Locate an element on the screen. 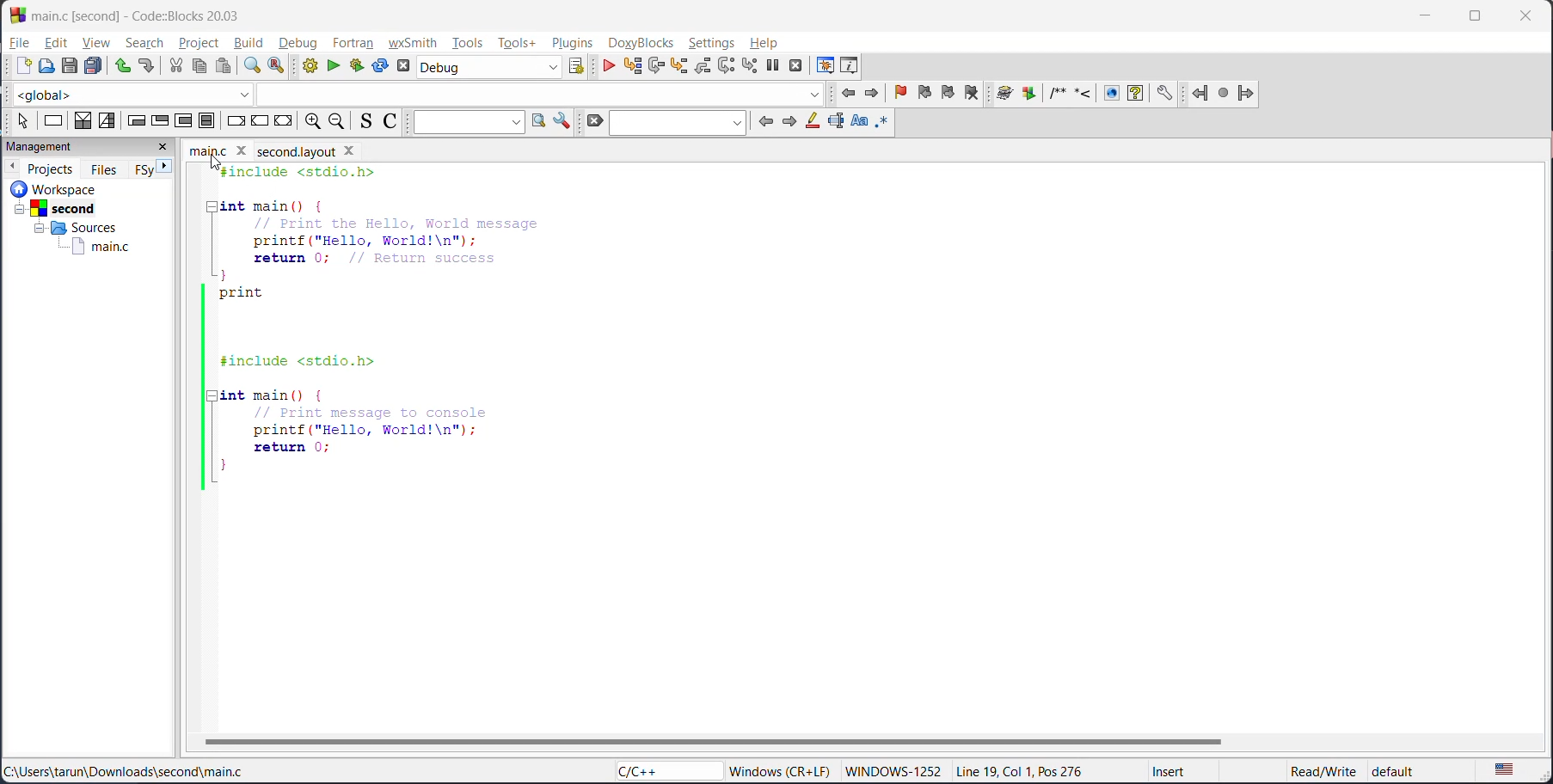  next is located at coordinates (789, 120).